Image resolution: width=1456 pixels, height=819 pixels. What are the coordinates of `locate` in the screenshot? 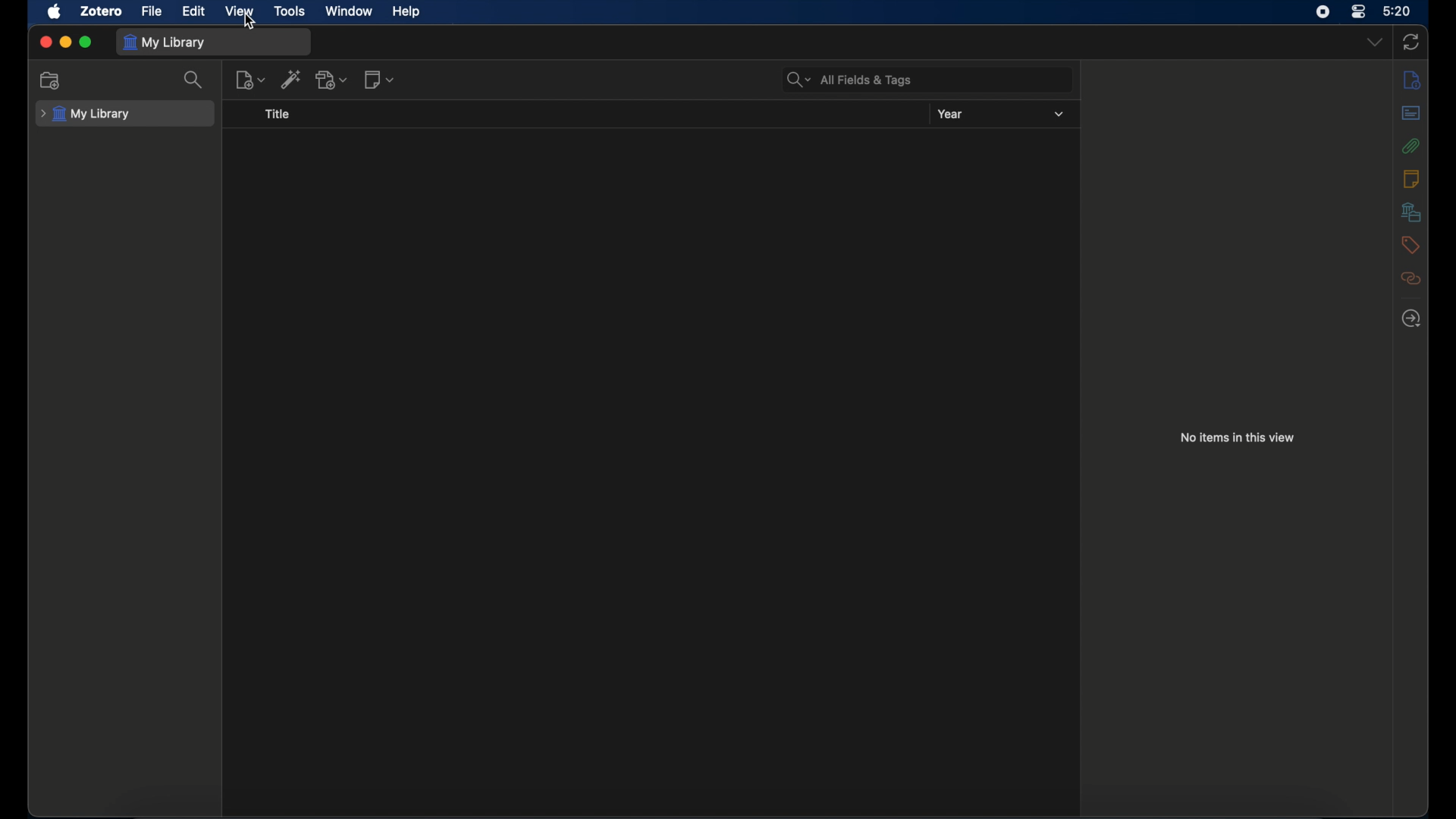 It's located at (1411, 318).